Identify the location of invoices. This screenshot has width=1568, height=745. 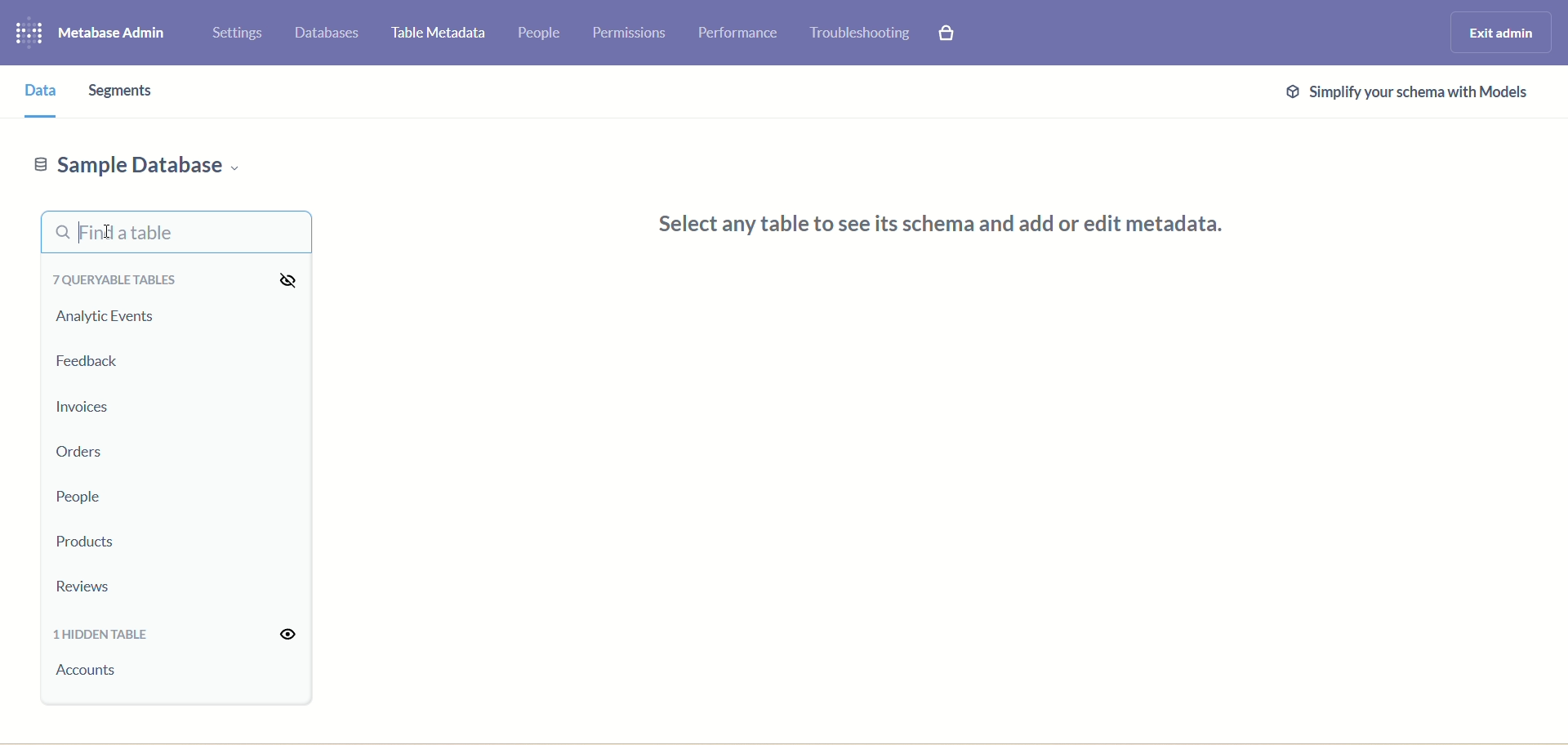
(82, 412).